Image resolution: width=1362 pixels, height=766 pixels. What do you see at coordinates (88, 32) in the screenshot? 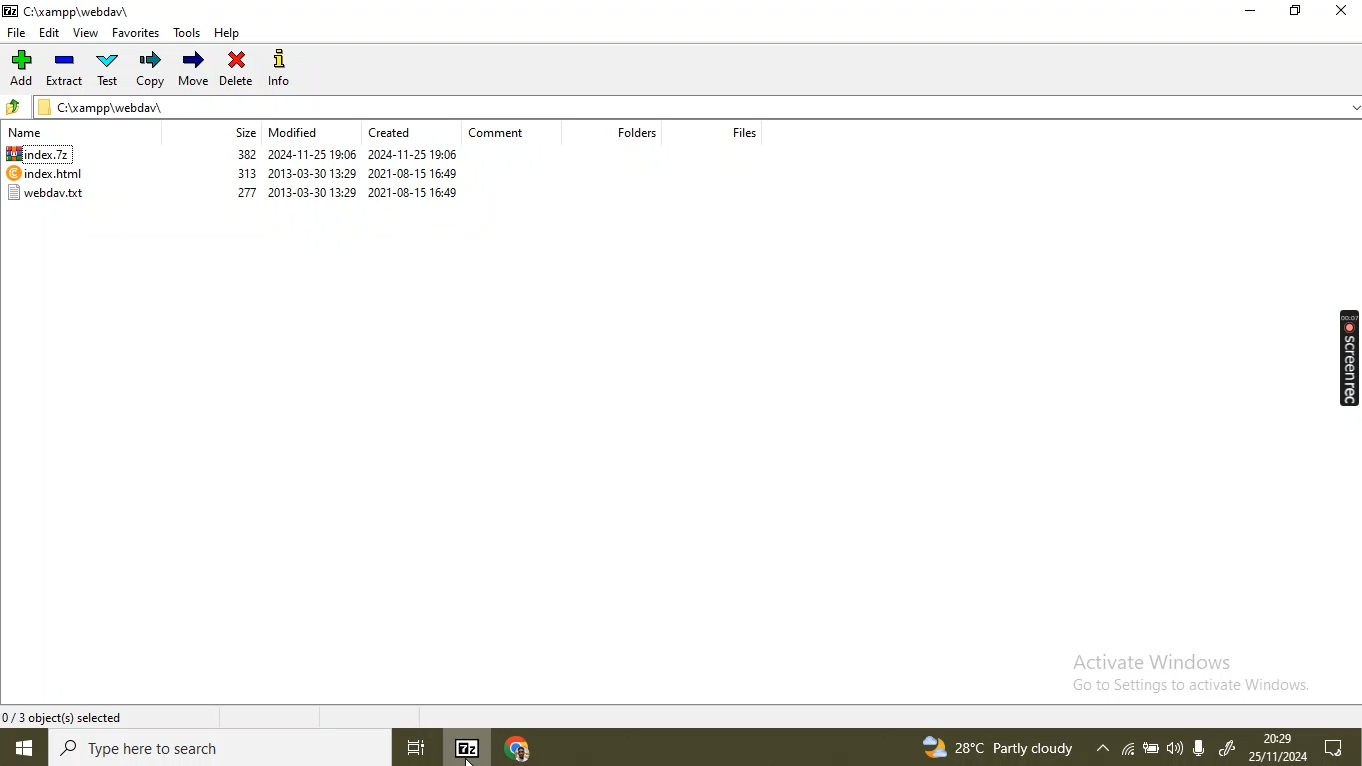
I see `view` at bounding box center [88, 32].